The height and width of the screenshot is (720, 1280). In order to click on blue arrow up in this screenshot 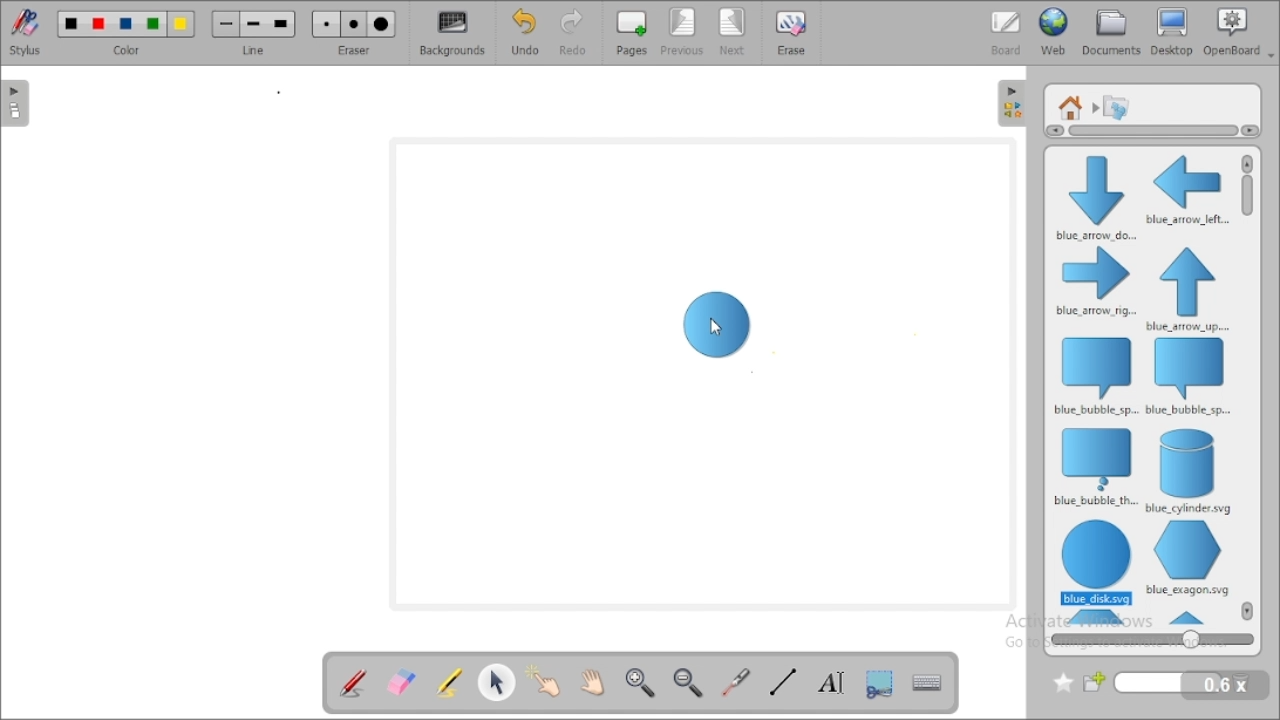, I will do `click(1188, 289)`.